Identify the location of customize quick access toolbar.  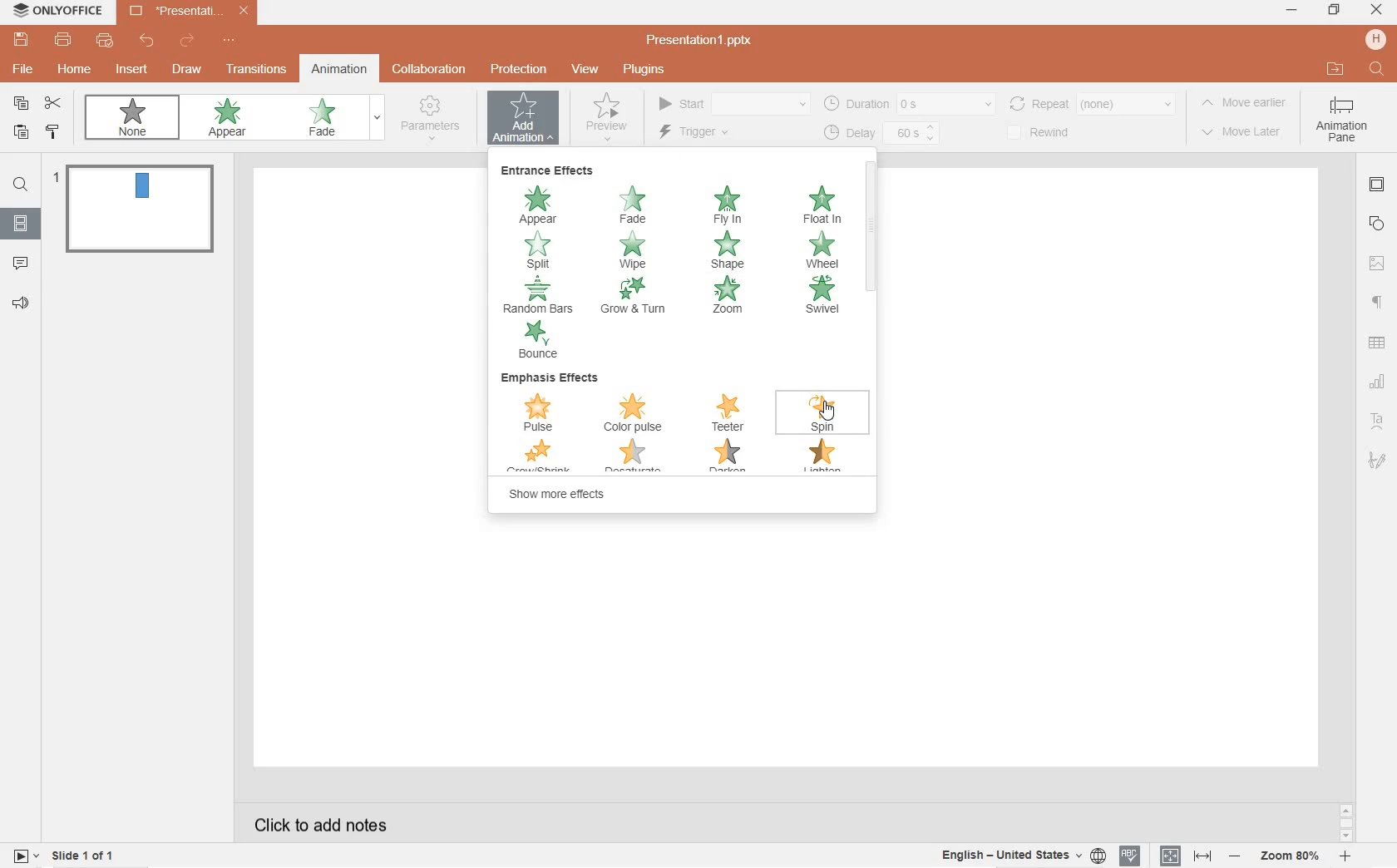
(233, 42).